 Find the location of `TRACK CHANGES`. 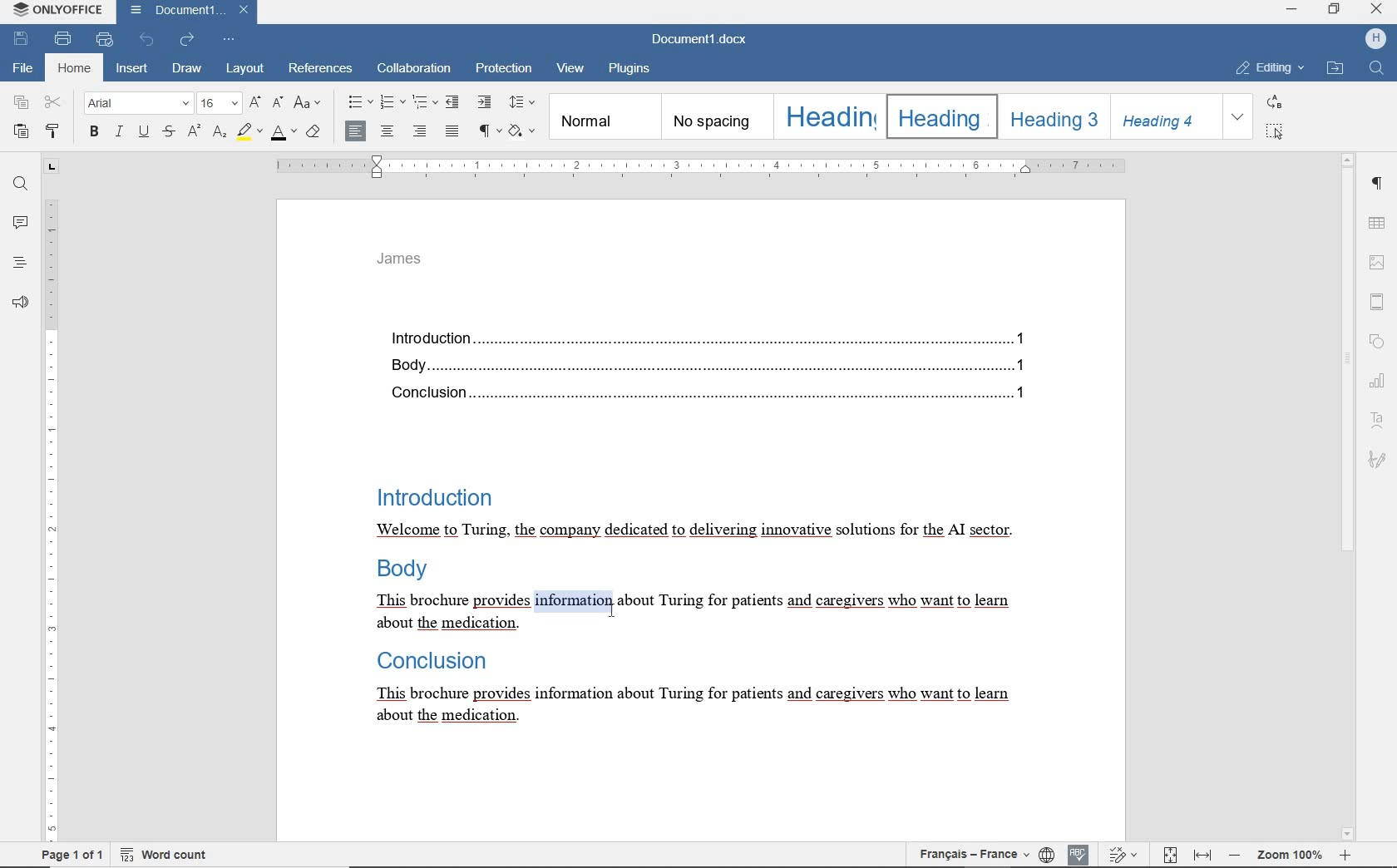

TRACK CHANGES is located at coordinates (1120, 854).